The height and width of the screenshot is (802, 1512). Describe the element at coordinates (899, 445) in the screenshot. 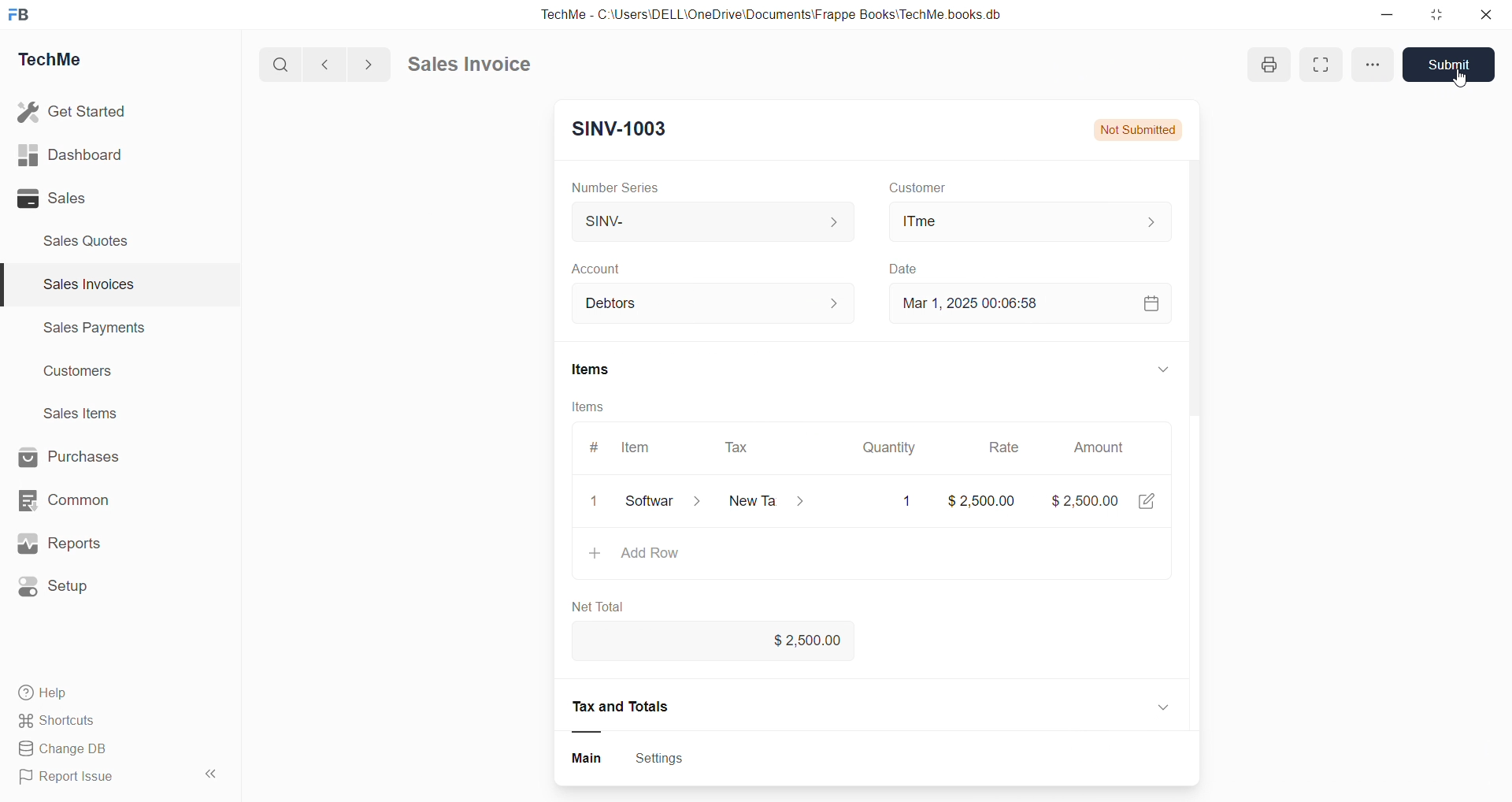

I see `Quantity` at that location.